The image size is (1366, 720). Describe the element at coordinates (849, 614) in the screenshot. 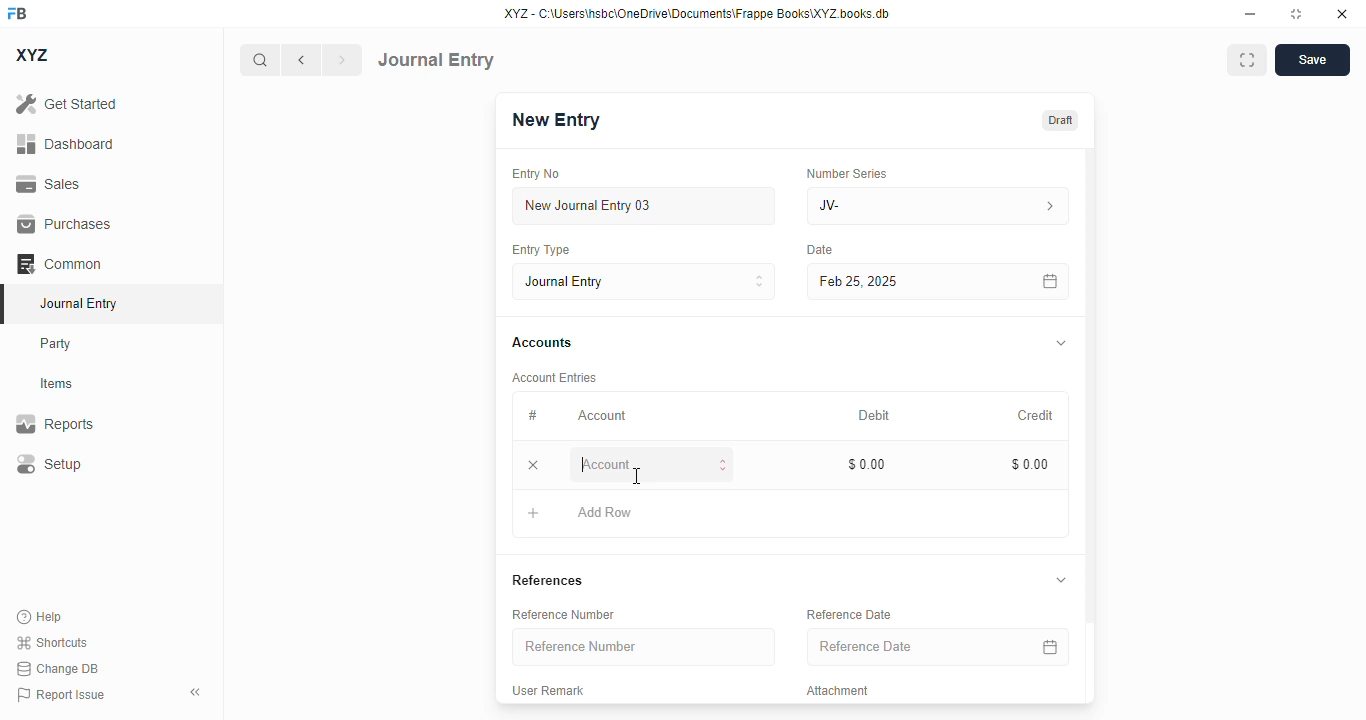

I see `reference data` at that location.